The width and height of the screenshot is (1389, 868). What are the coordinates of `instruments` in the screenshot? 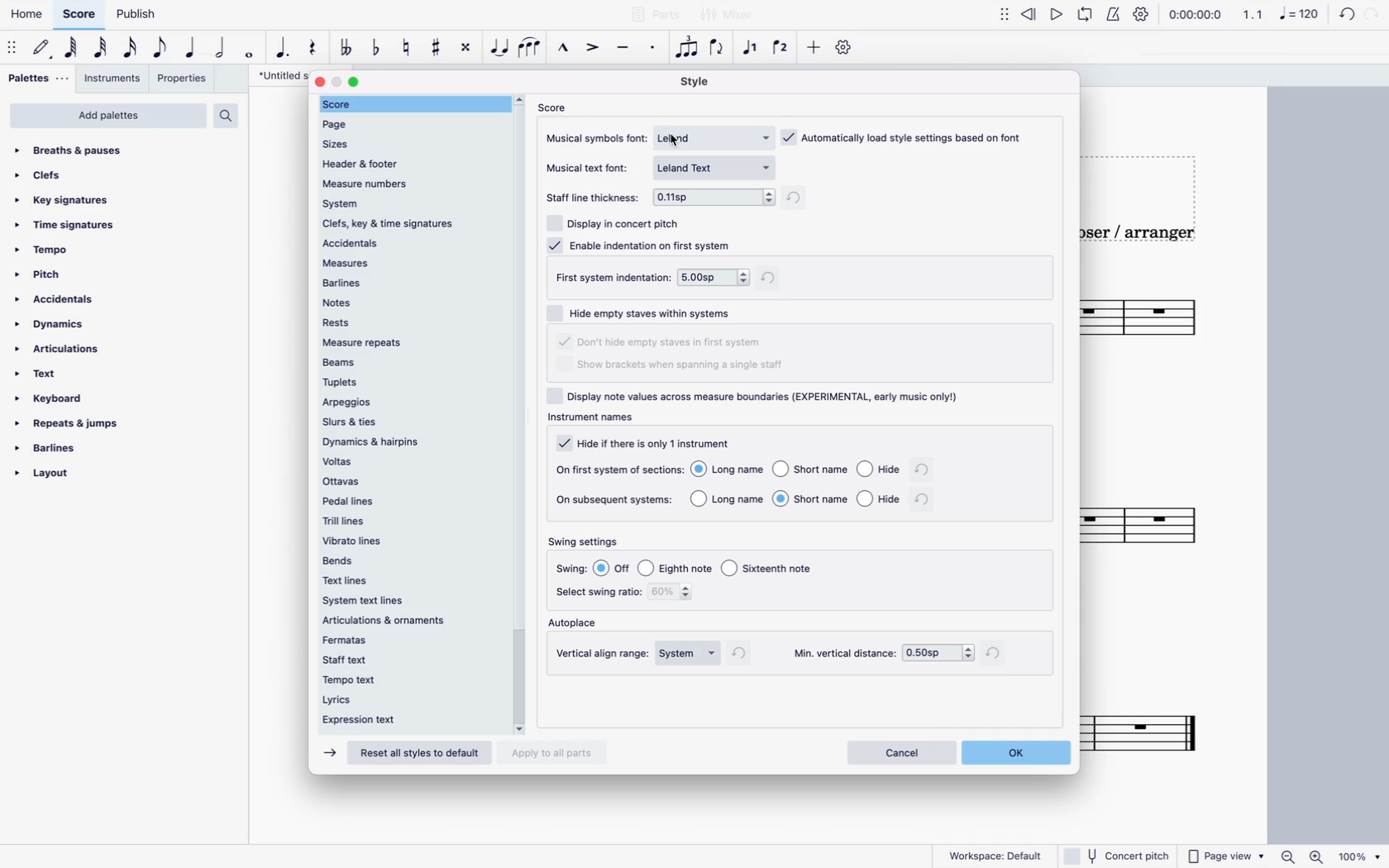 It's located at (112, 78).